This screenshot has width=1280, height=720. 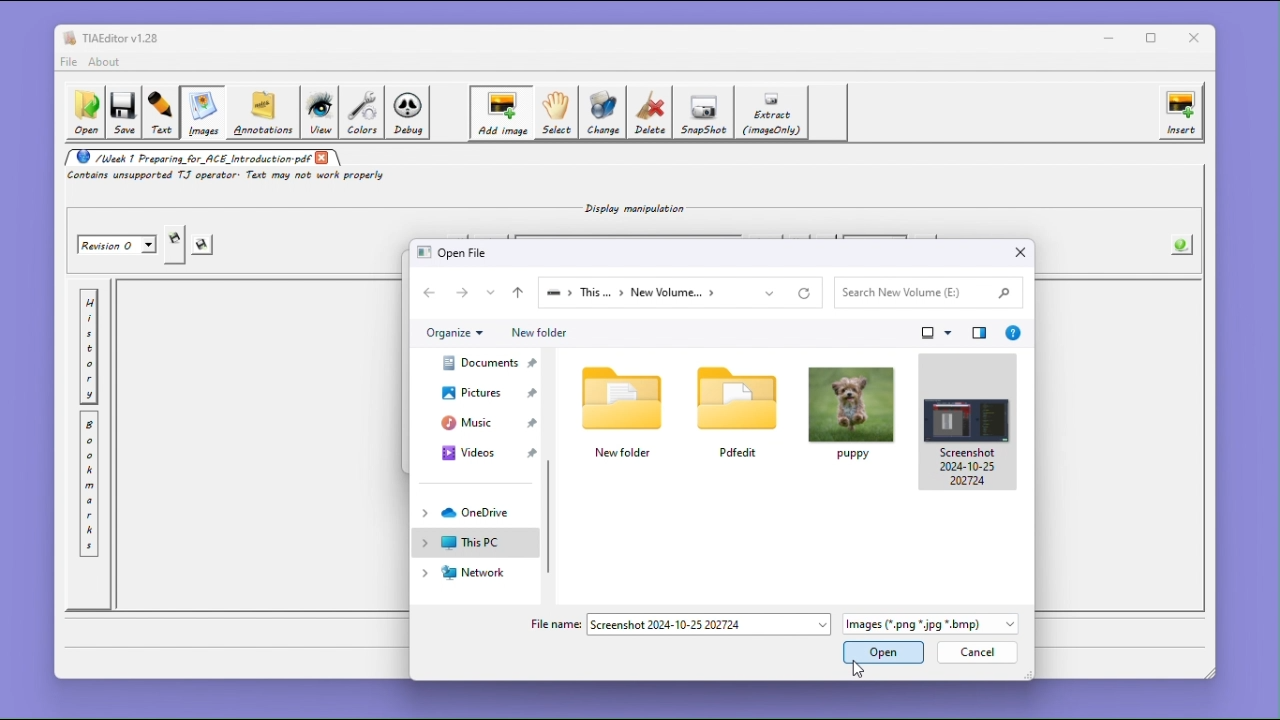 What do you see at coordinates (323, 157) in the screenshot?
I see `close` at bounding box center [323, 157].